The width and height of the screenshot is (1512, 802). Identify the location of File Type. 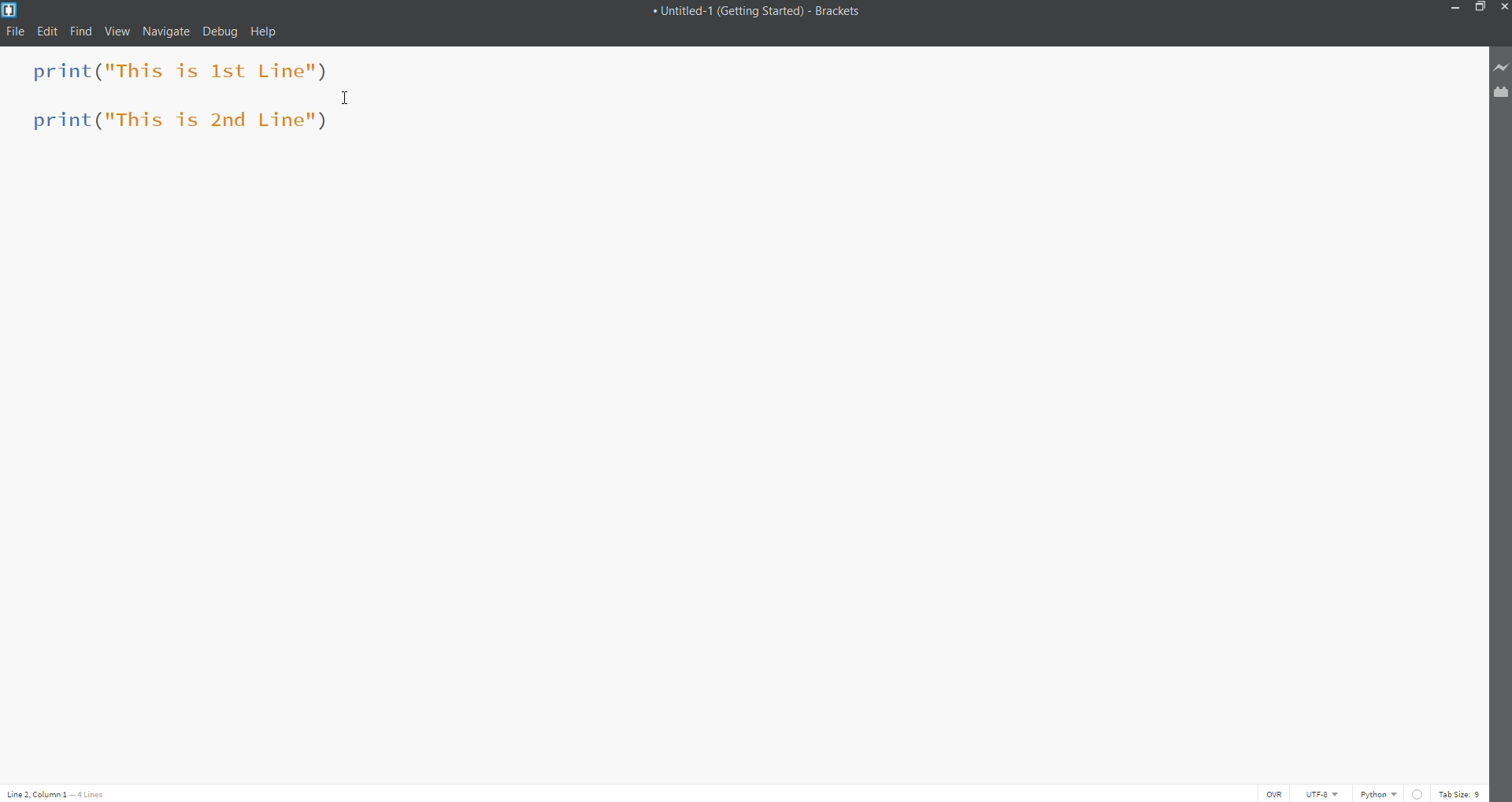
(1377, 793).